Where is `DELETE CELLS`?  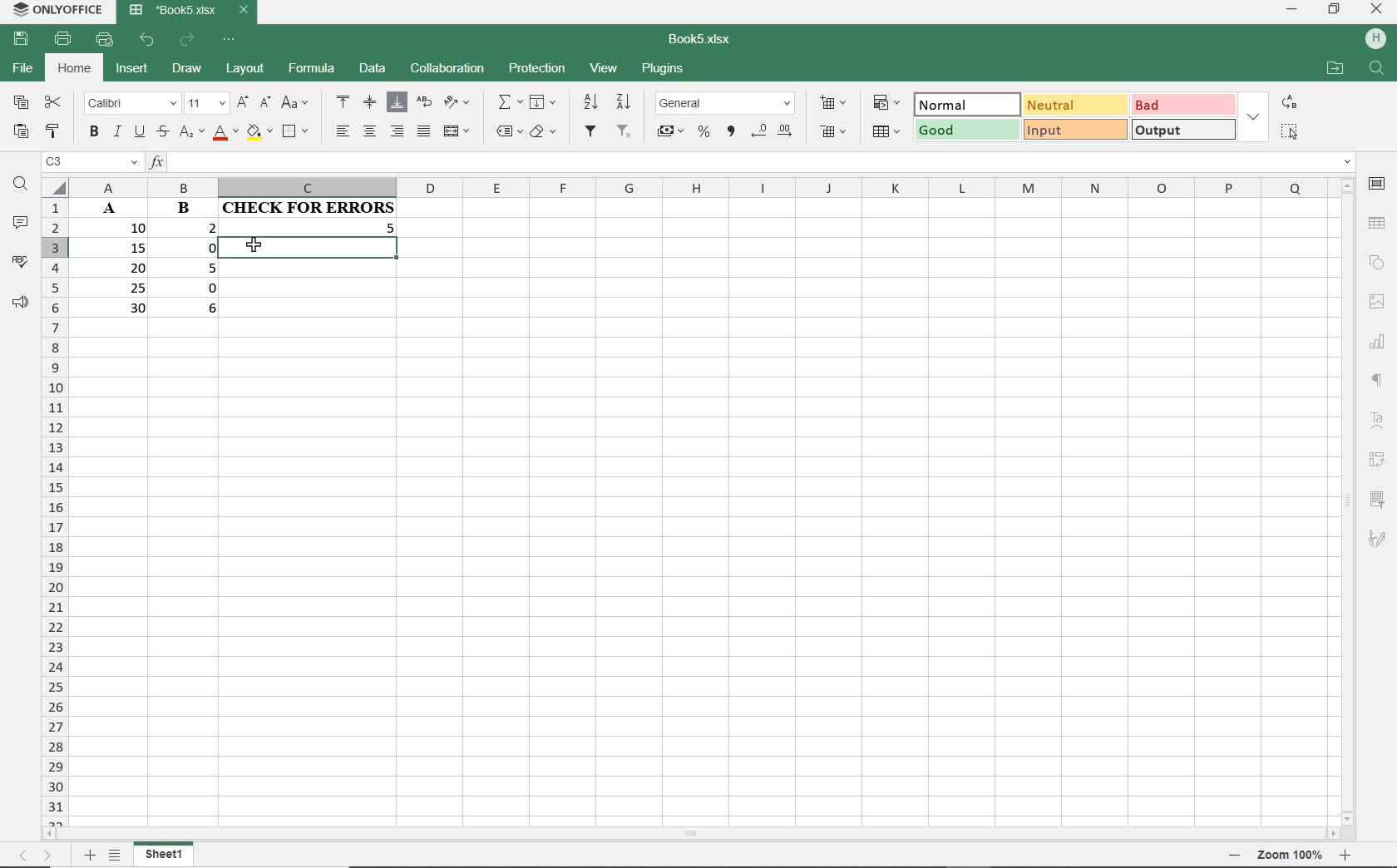 DELETE CELLS is located at coordinates (835, 131).